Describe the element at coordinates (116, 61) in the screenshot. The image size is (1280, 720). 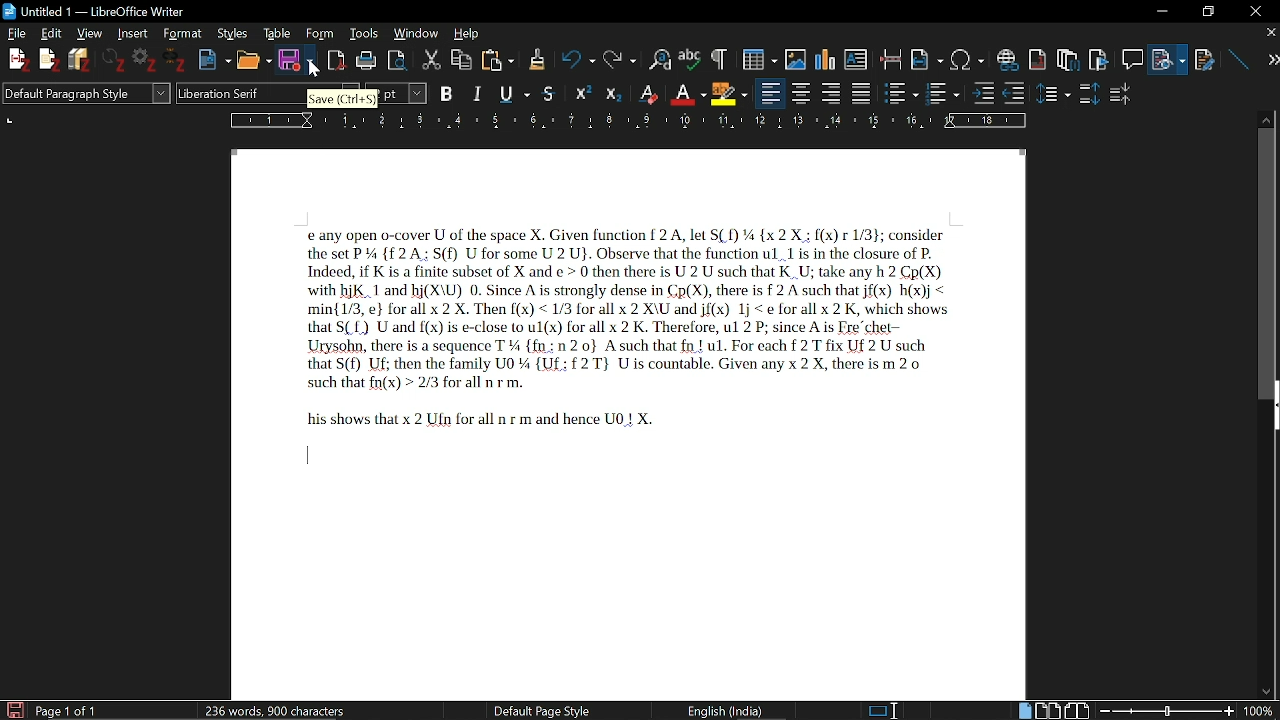
I see `` at that location.